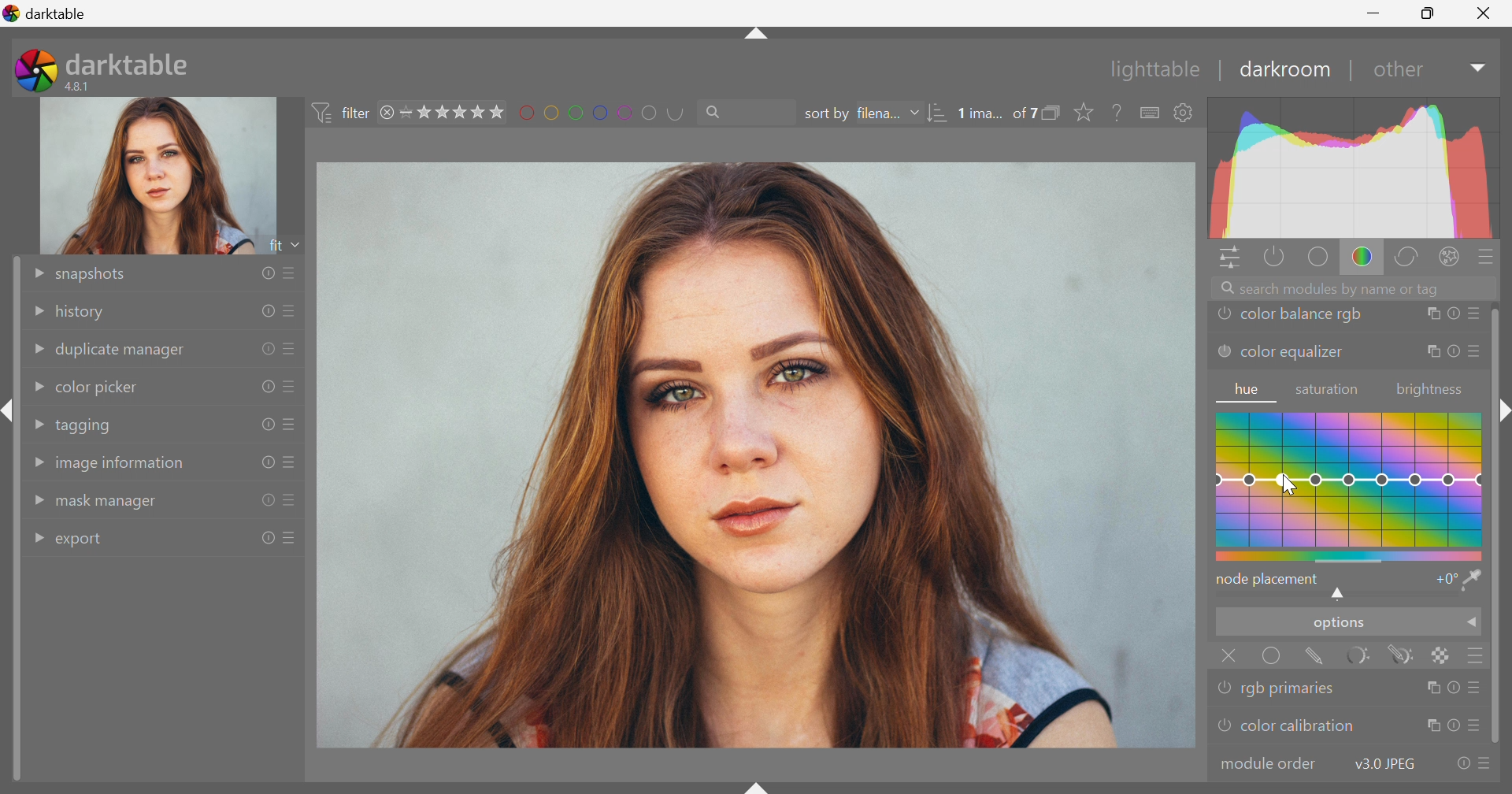  What do you see at coordinates (36, 351) in the screenshot?
I see `Drop Down` at bounding box center [36, 351].